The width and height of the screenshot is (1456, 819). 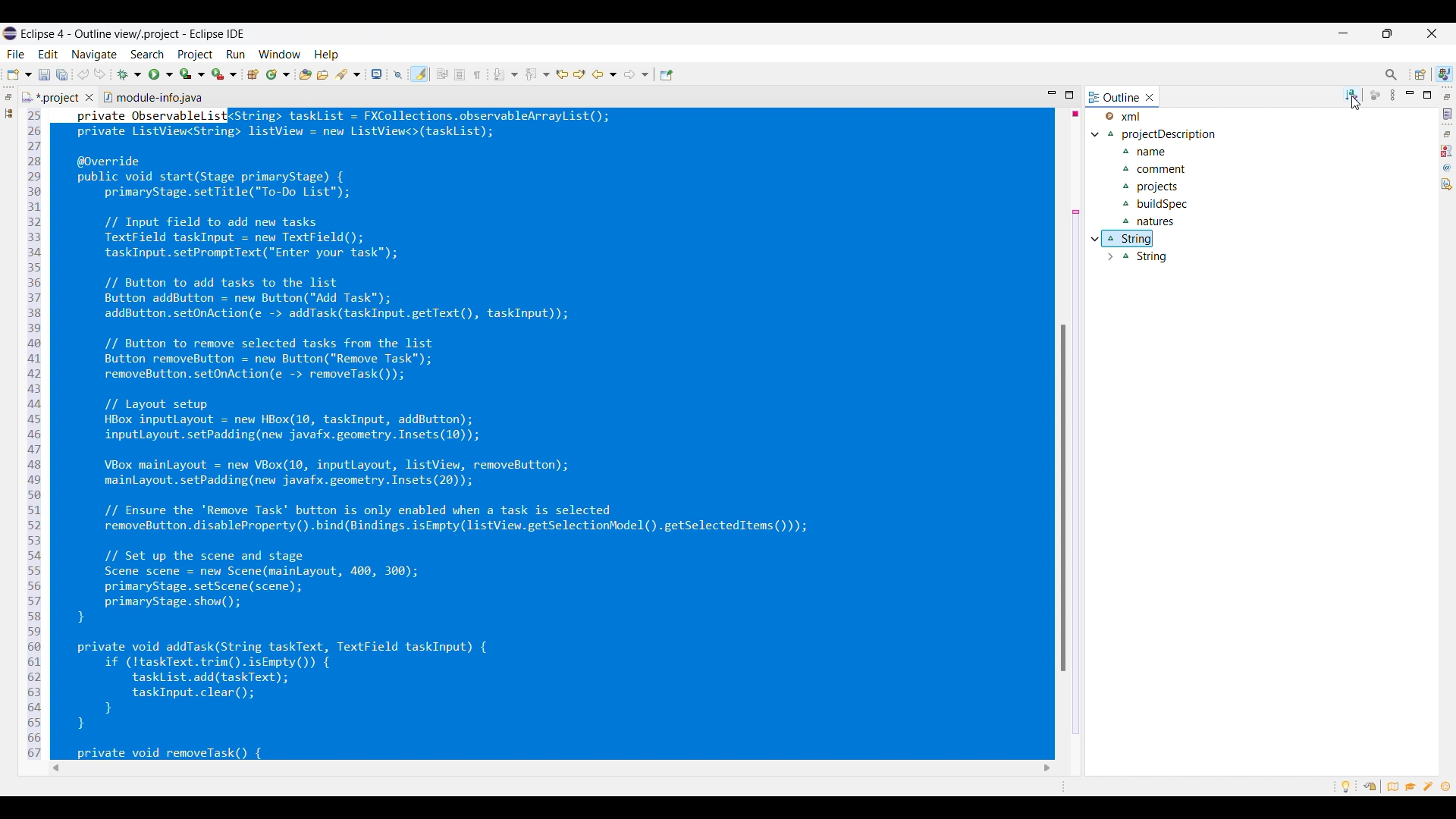 What do you see at coordinates (1096, 135) in the screenshot?
I see `Expand/Collapse` at bounding box center [1096, 135].